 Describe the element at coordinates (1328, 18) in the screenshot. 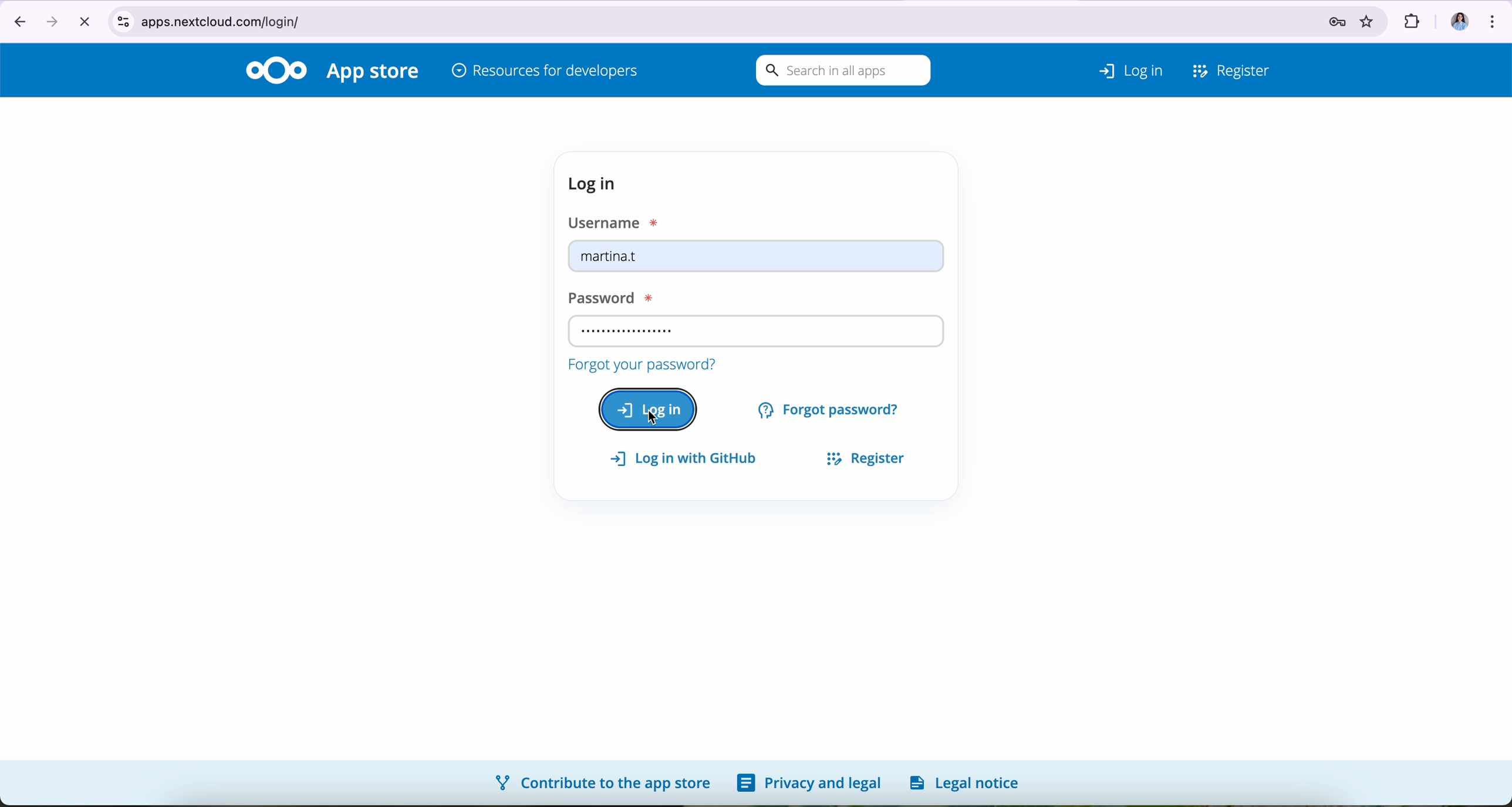

I see `password` at that location.